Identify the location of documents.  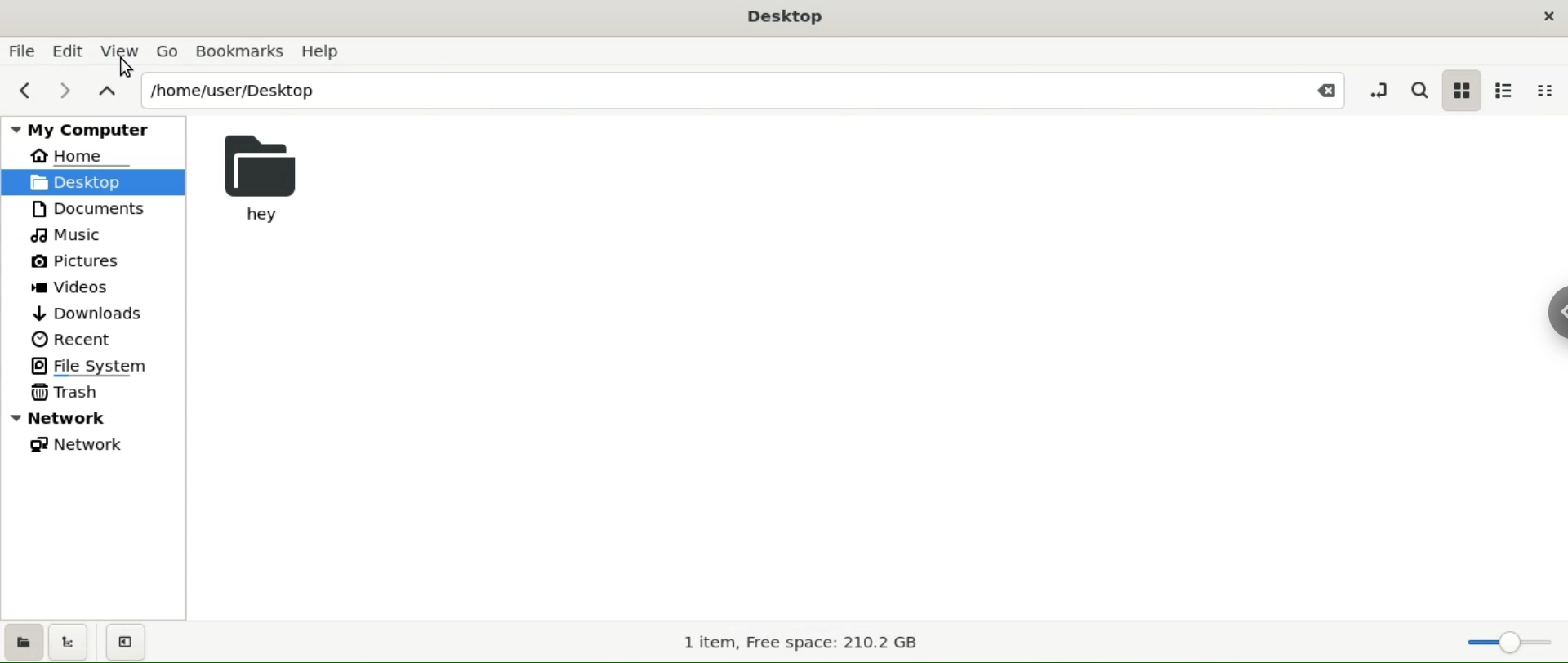
(91, 209).